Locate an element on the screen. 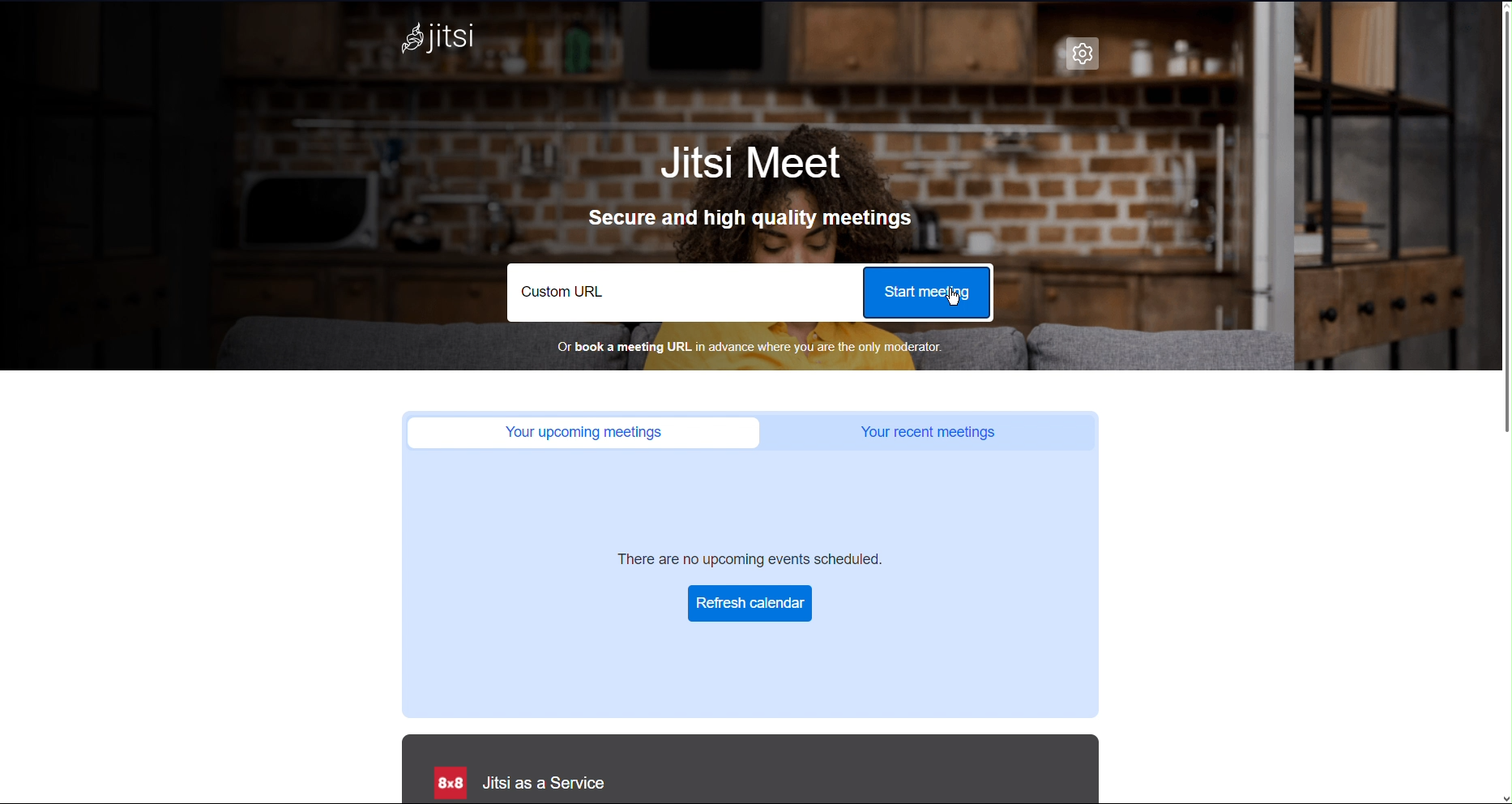 The image size is (1512, 804). Cursor is located at coordinates (953, 298).